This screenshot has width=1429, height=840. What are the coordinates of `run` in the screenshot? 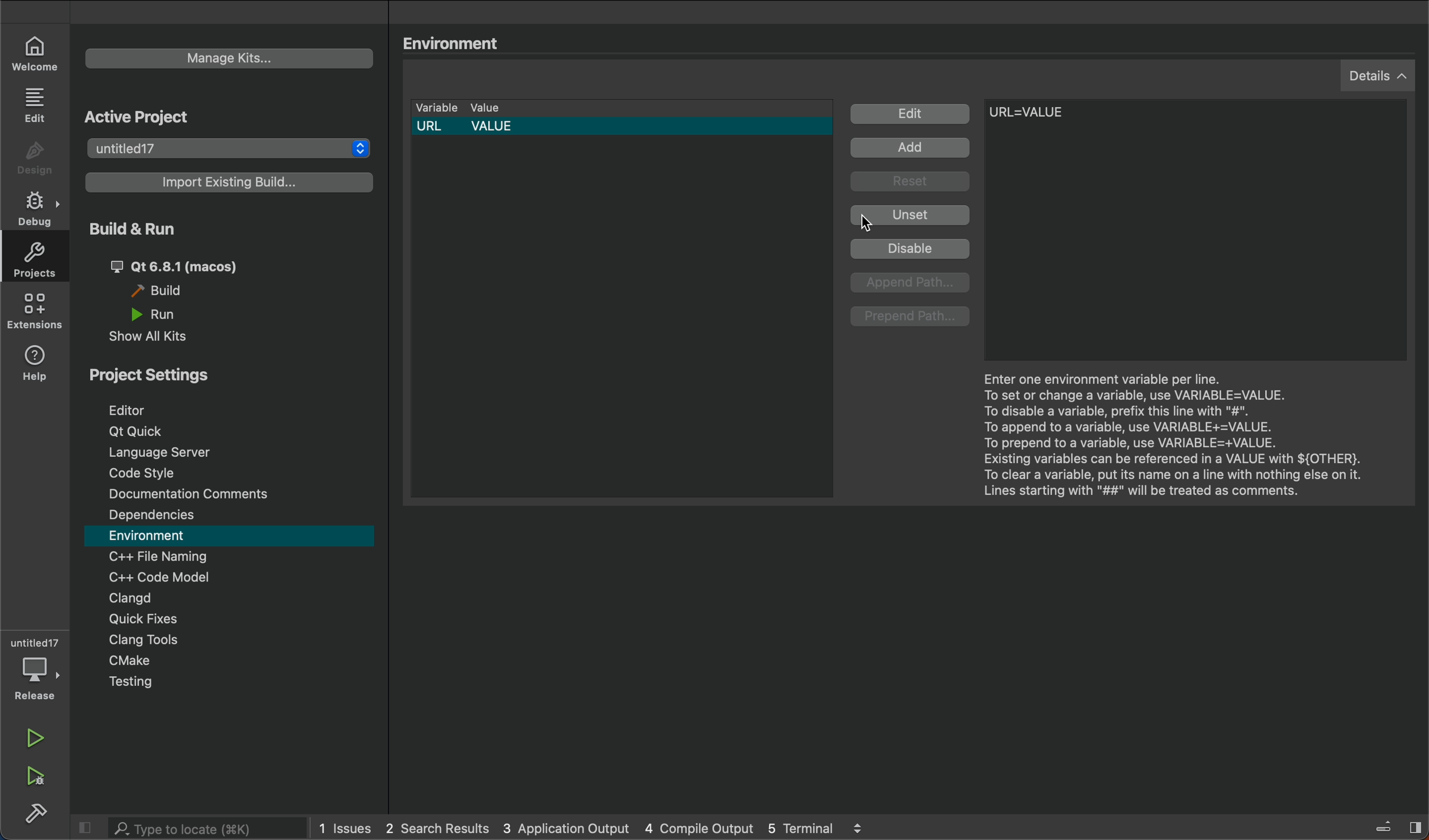 It's located at (159, 315).